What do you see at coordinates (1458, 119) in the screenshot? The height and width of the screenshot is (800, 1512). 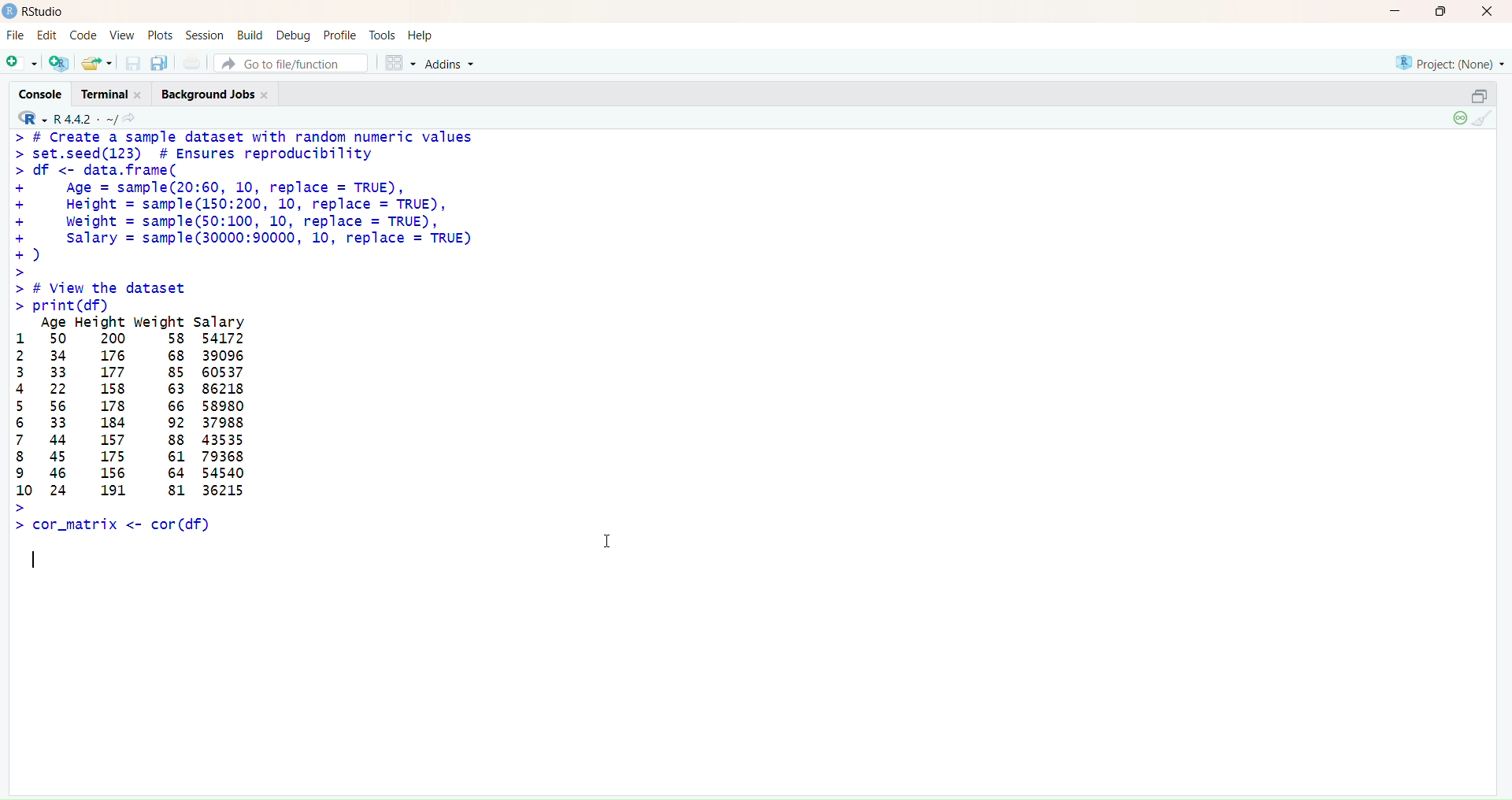 I see `Session suspend timeout passed: A child process is running` at bounding box center [1458, 119].